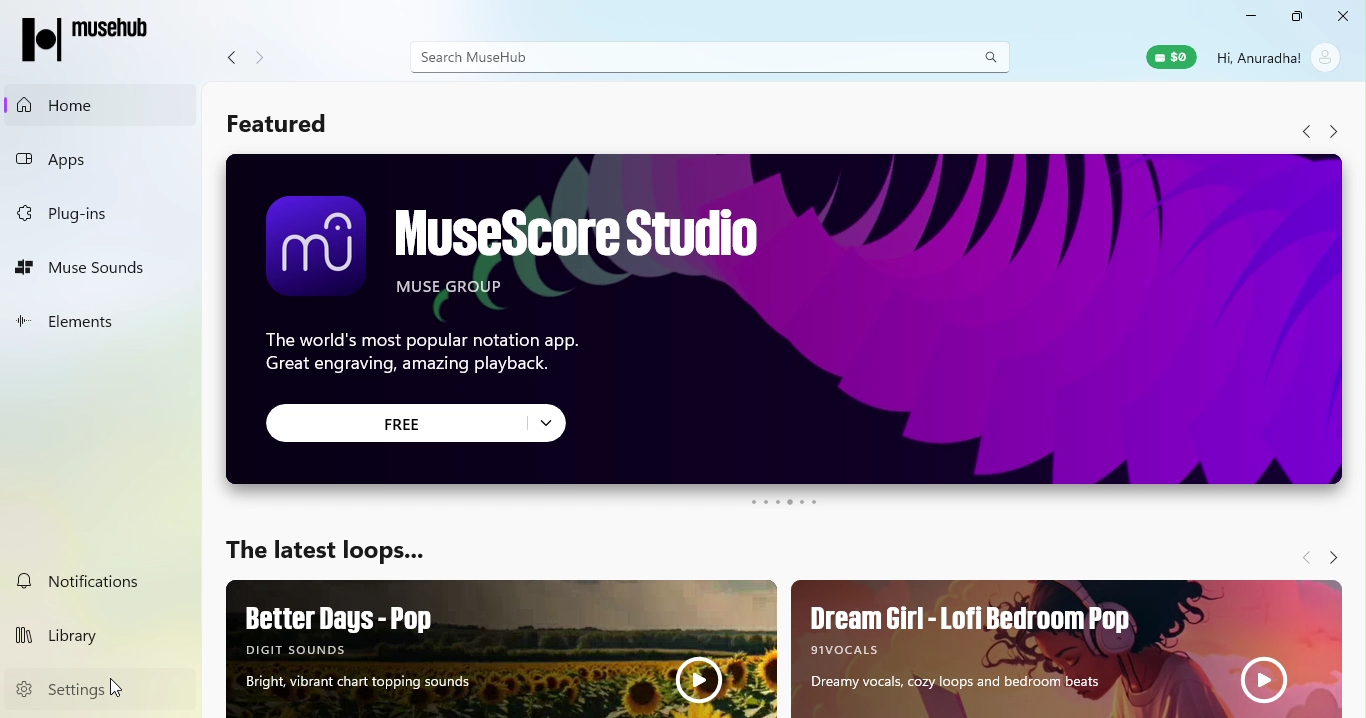 Image resolution: width=1366 pixels, height=718 pixels. What do you see at coordinates (310, 250) in the screenshot?
I see `logo` at bounding box center [310, 250].